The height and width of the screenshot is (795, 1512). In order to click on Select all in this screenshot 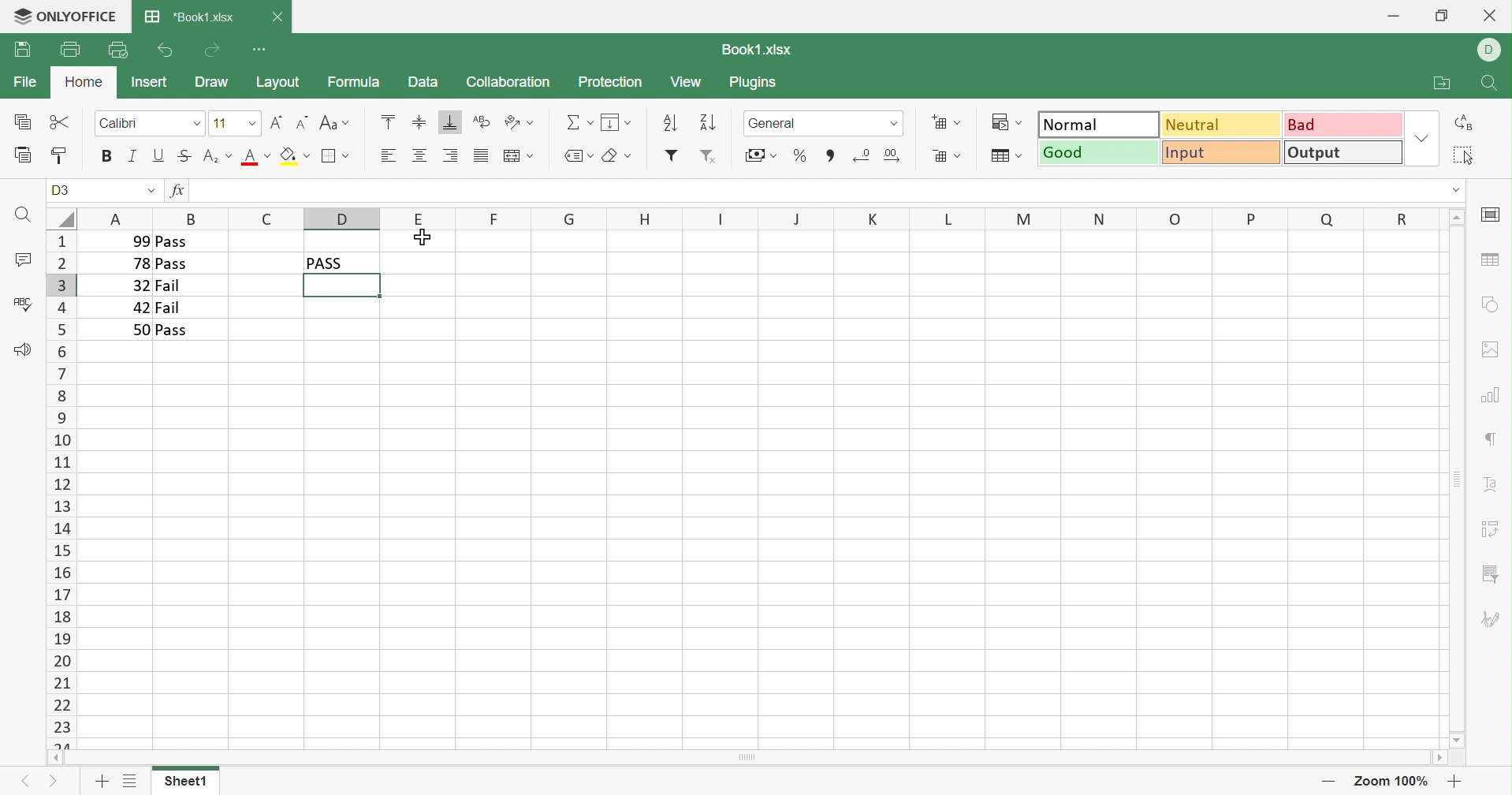, I will do `click(1464, 155)`.